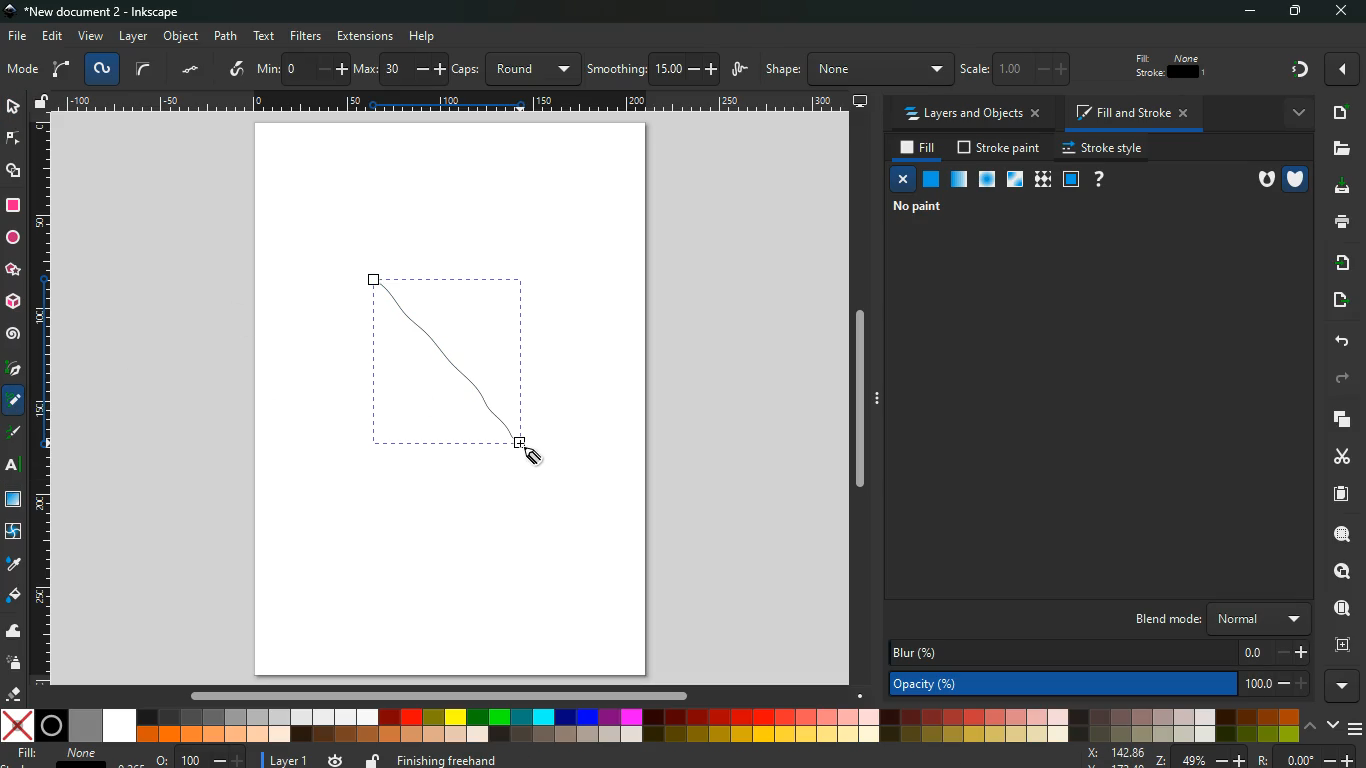  What do you see at coordinates (1243, 12) in the screenshot?
I see `minimize` at bounding box center [1243, 12].